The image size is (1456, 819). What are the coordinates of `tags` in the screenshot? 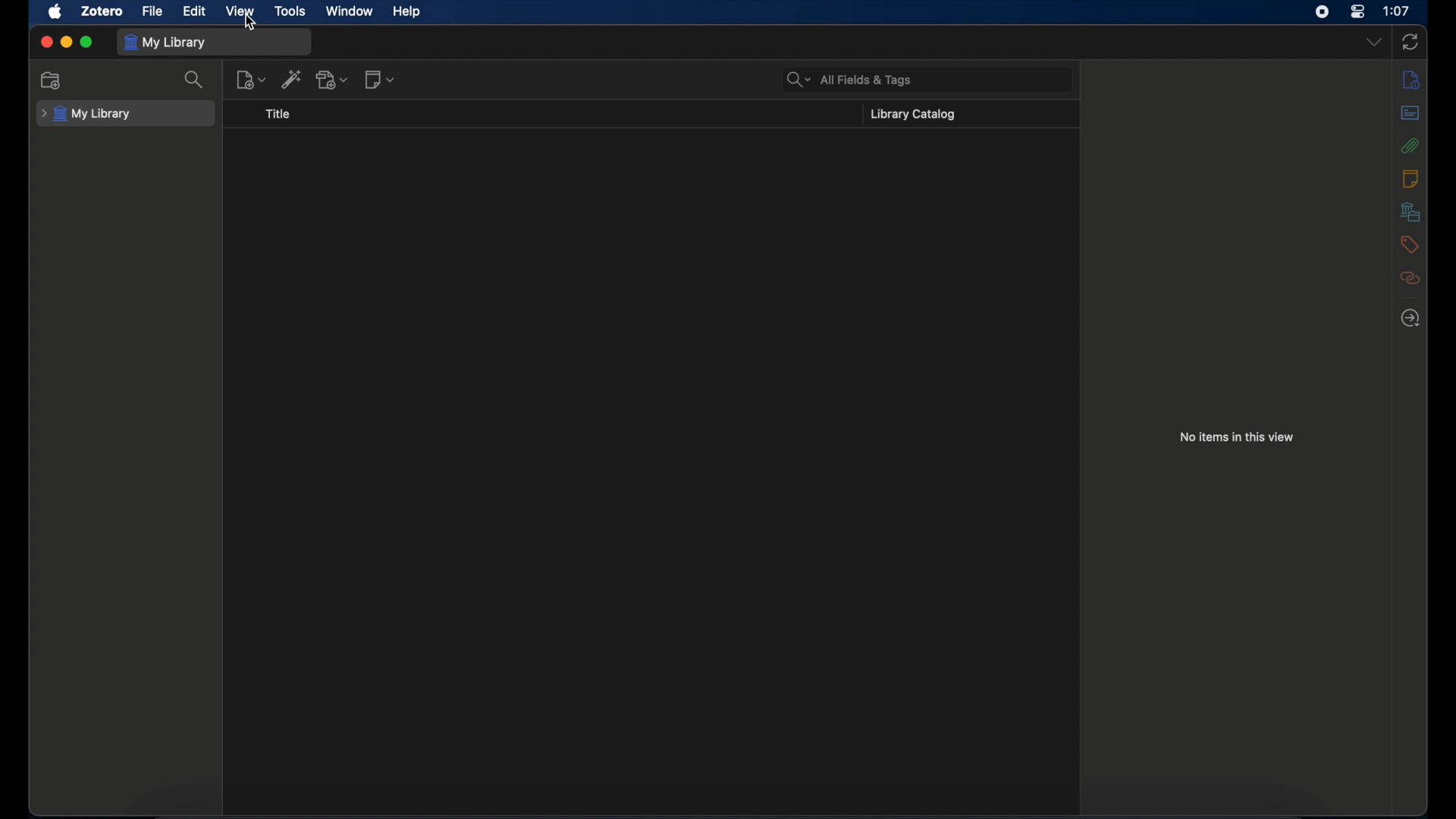 It's located at (1409, 244).